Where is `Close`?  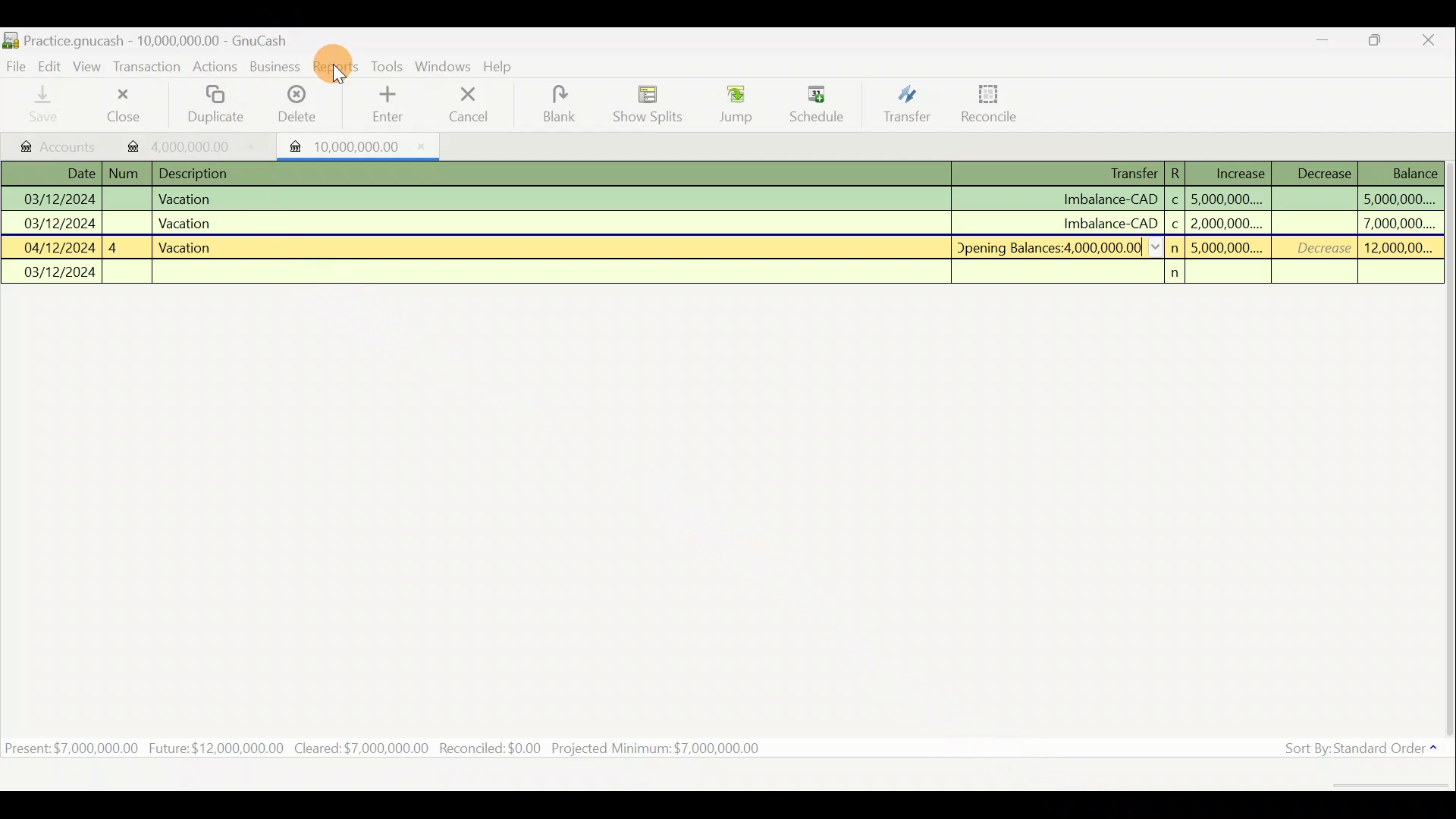 Close is located at coordinates (121, 103).